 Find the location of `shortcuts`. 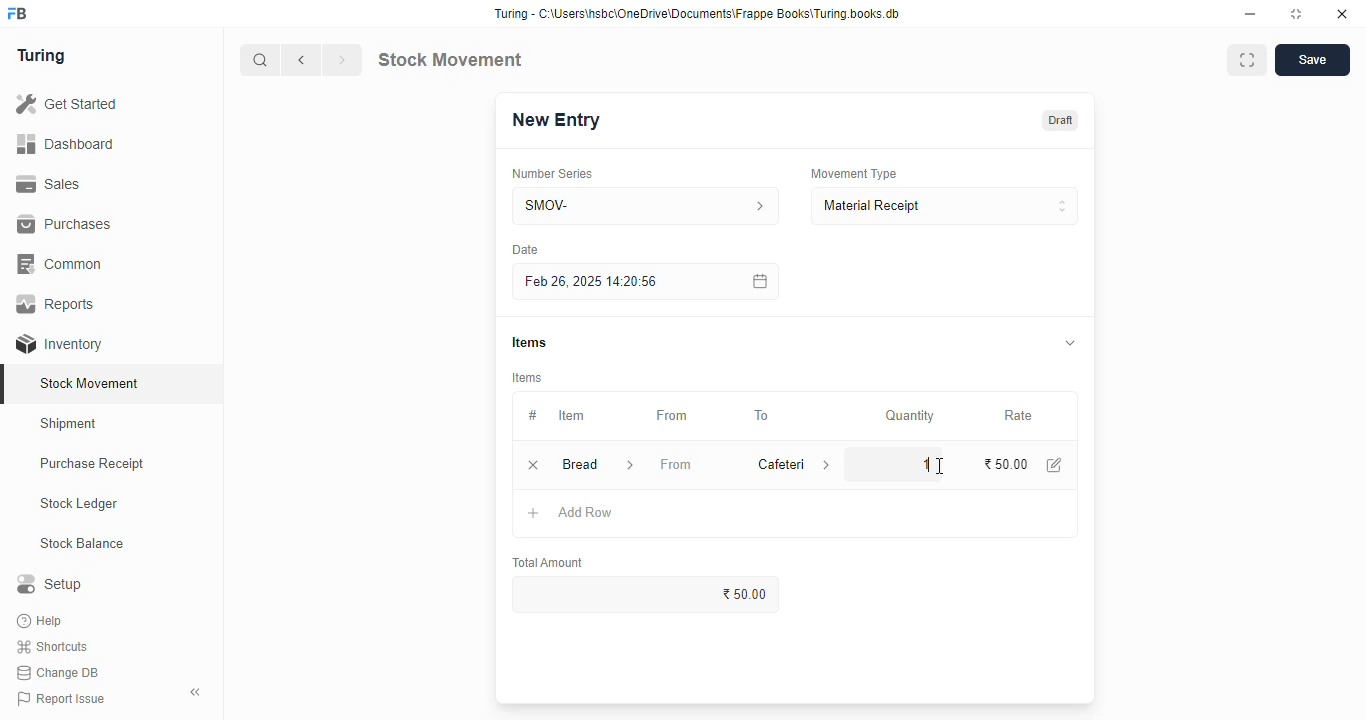

shortcuts is located at coordinates (52, 647).